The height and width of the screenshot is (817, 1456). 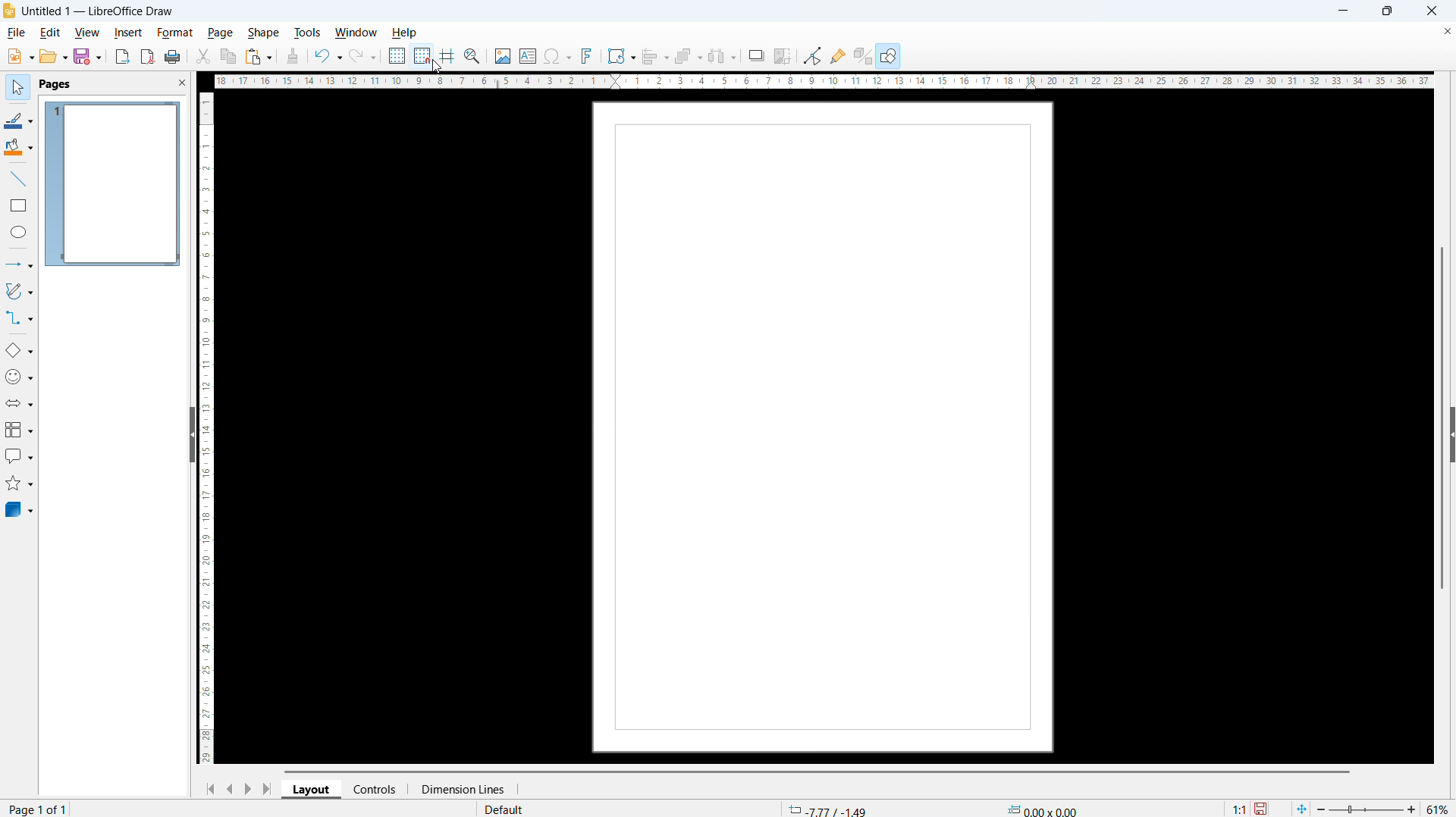 What do you see at coordinates (474, 56) in the screenshot?
I see `Zoom ` at bounding box center [474, 56].